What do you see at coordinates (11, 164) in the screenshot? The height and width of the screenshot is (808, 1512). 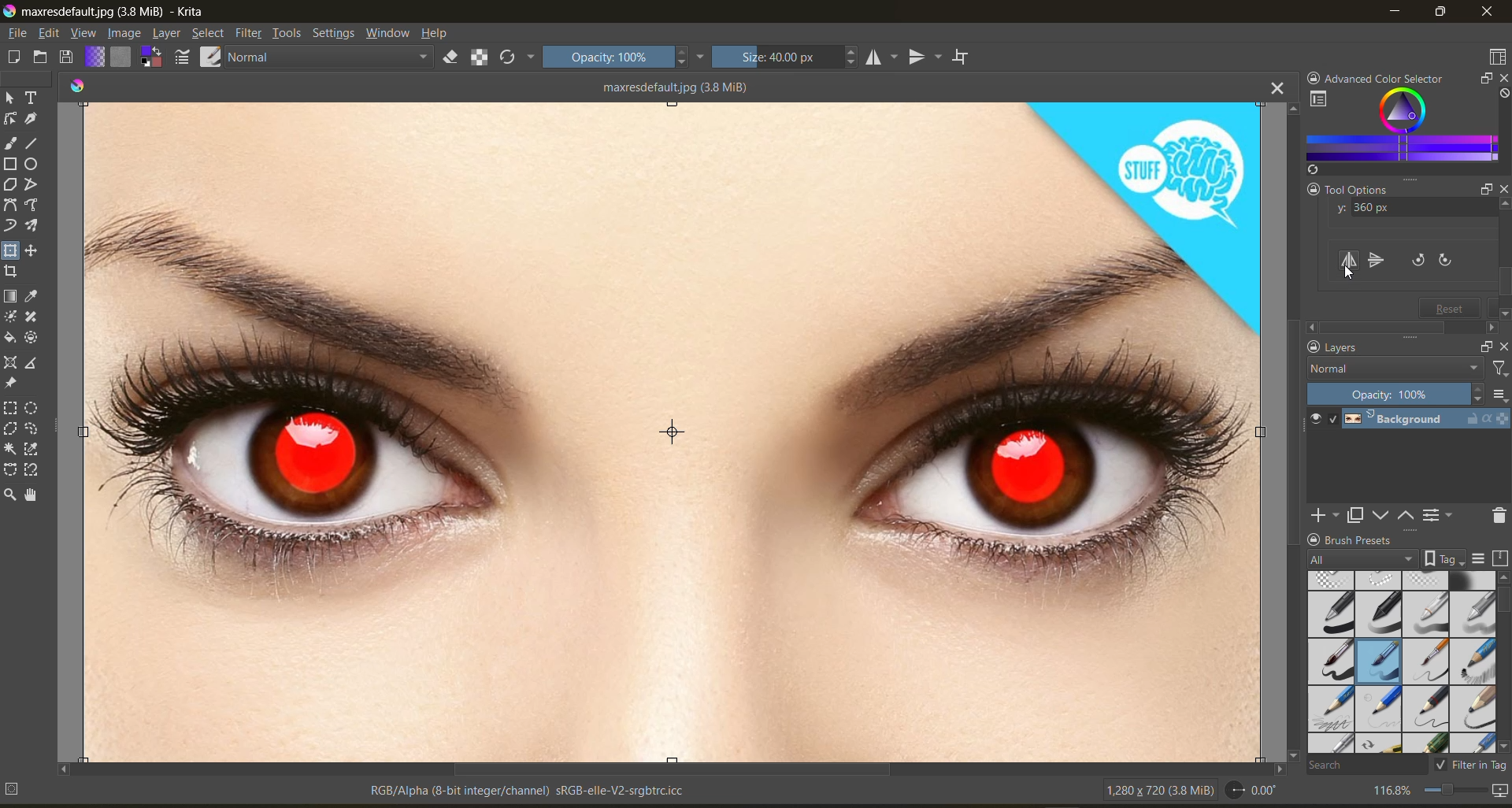 I see `tool` at bounding box center [11, 164].